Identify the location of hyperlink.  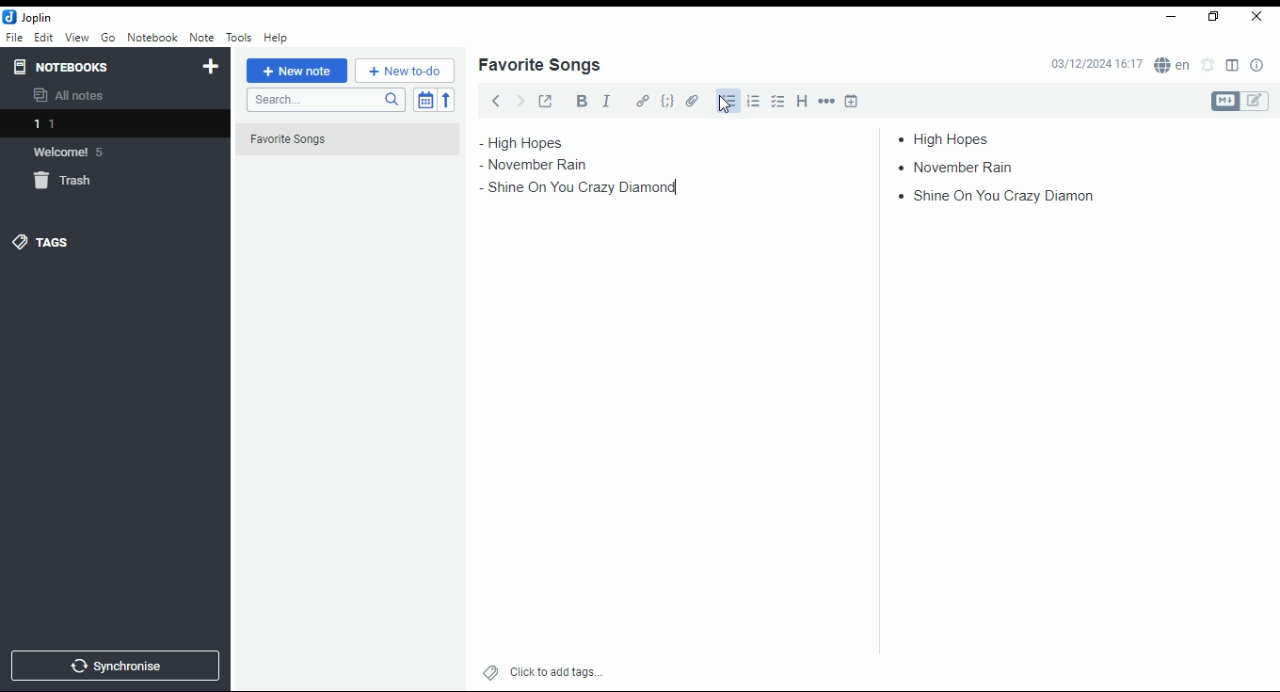
(643, 100).